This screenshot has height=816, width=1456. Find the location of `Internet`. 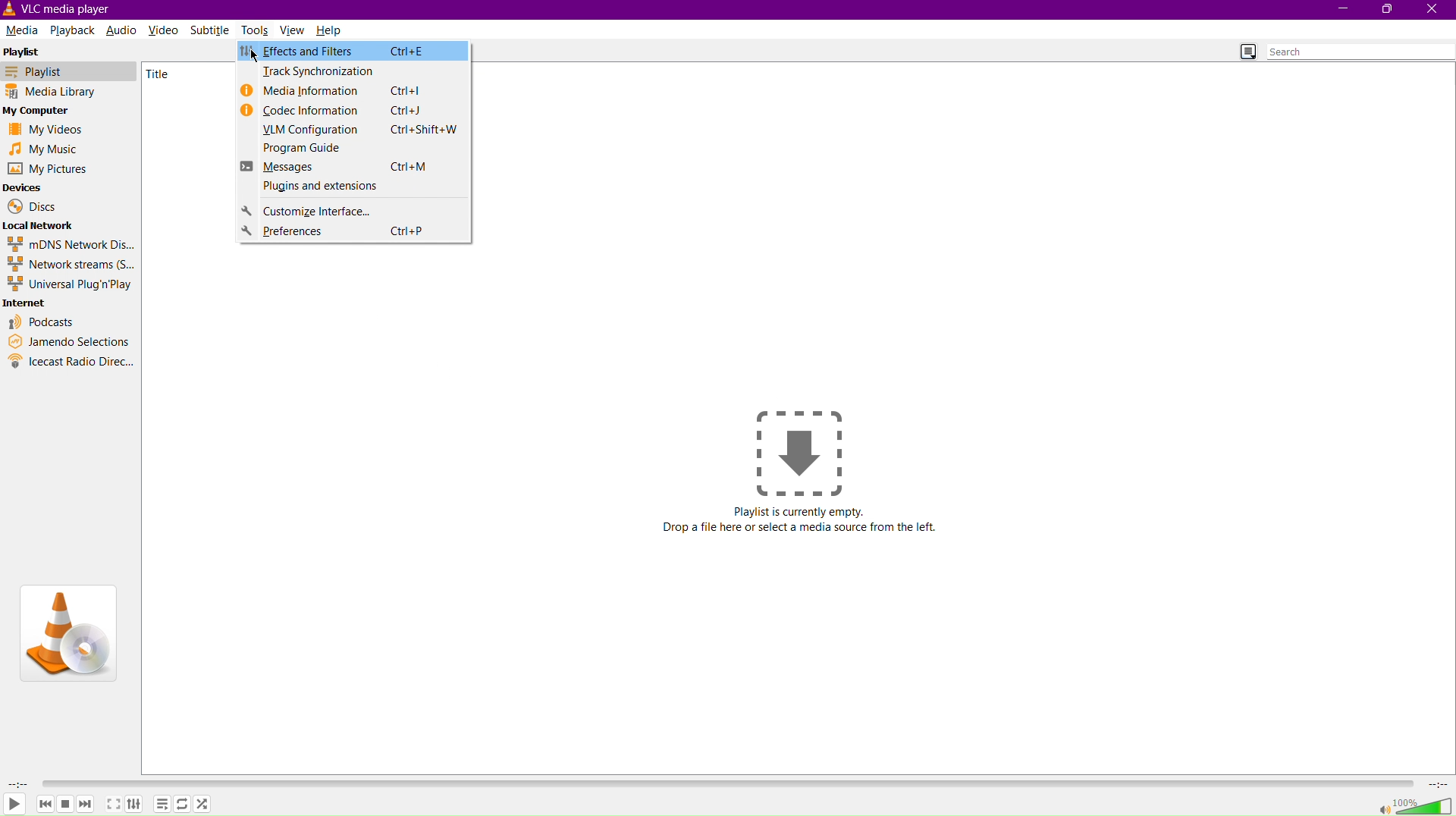

Internet is located at coordinates (32, 302).